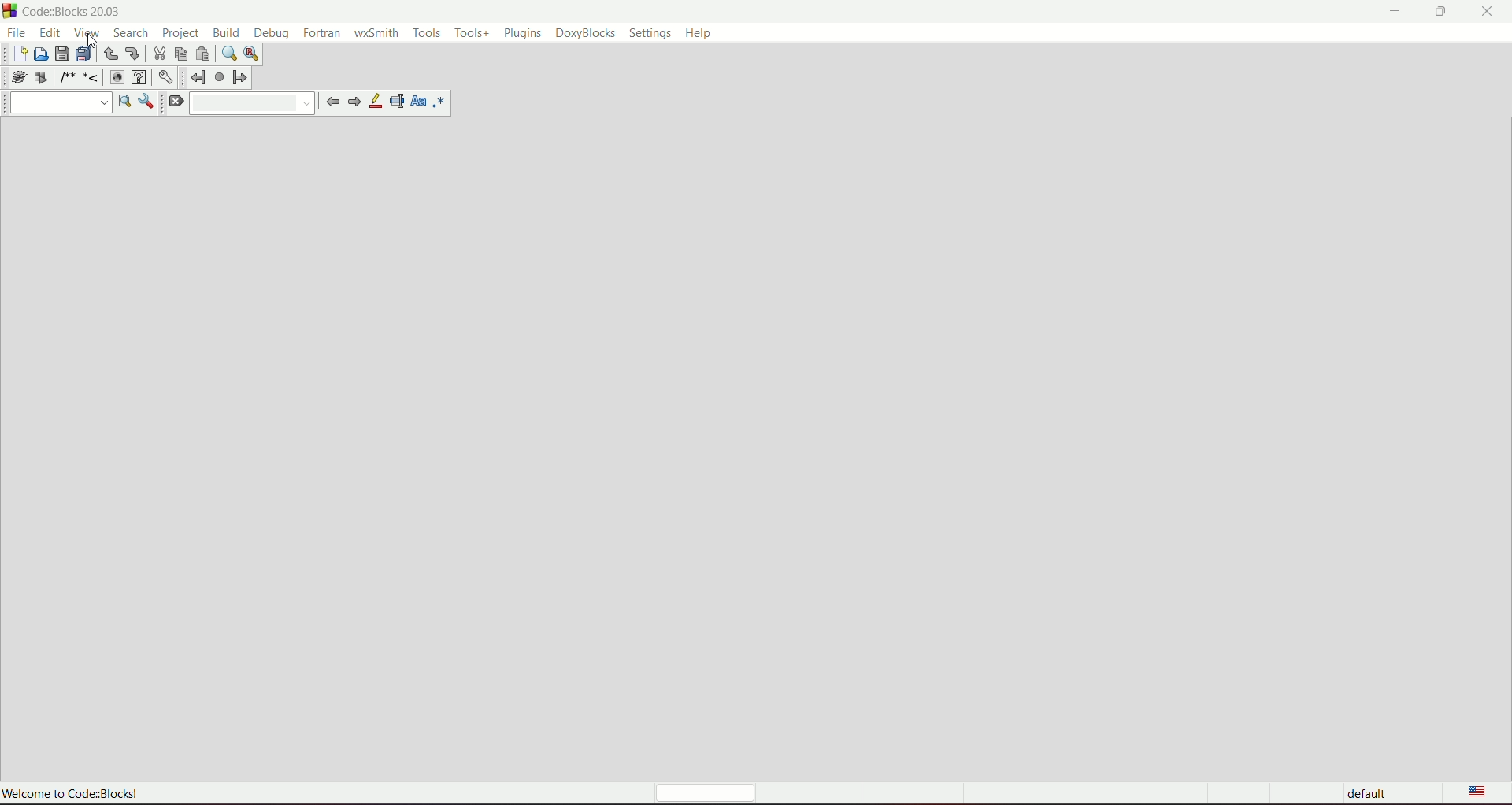  I want to click on wxsmith, so click(375, 32).